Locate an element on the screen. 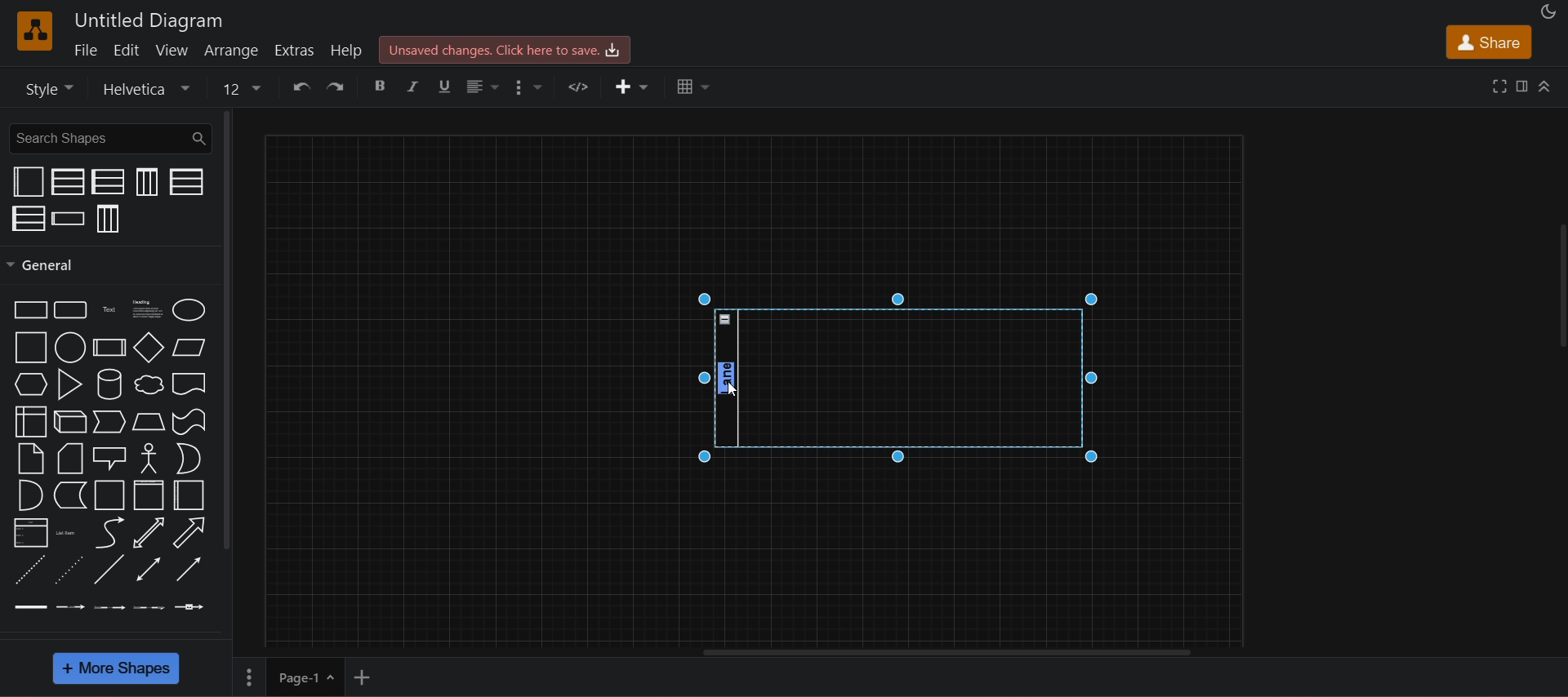  arrange is located at coordinates (230, 50).